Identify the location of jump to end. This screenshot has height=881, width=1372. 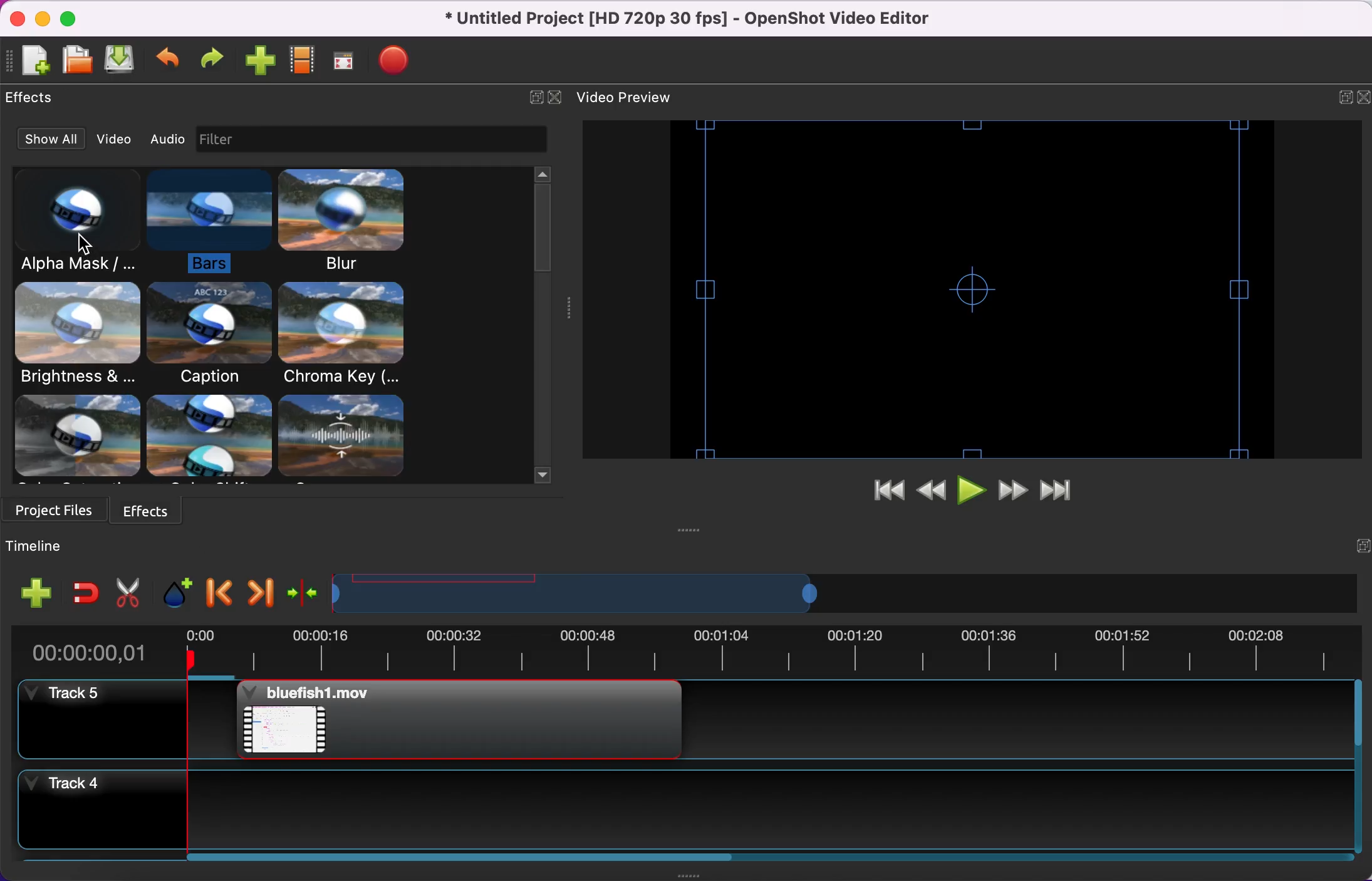
(1063, 489).